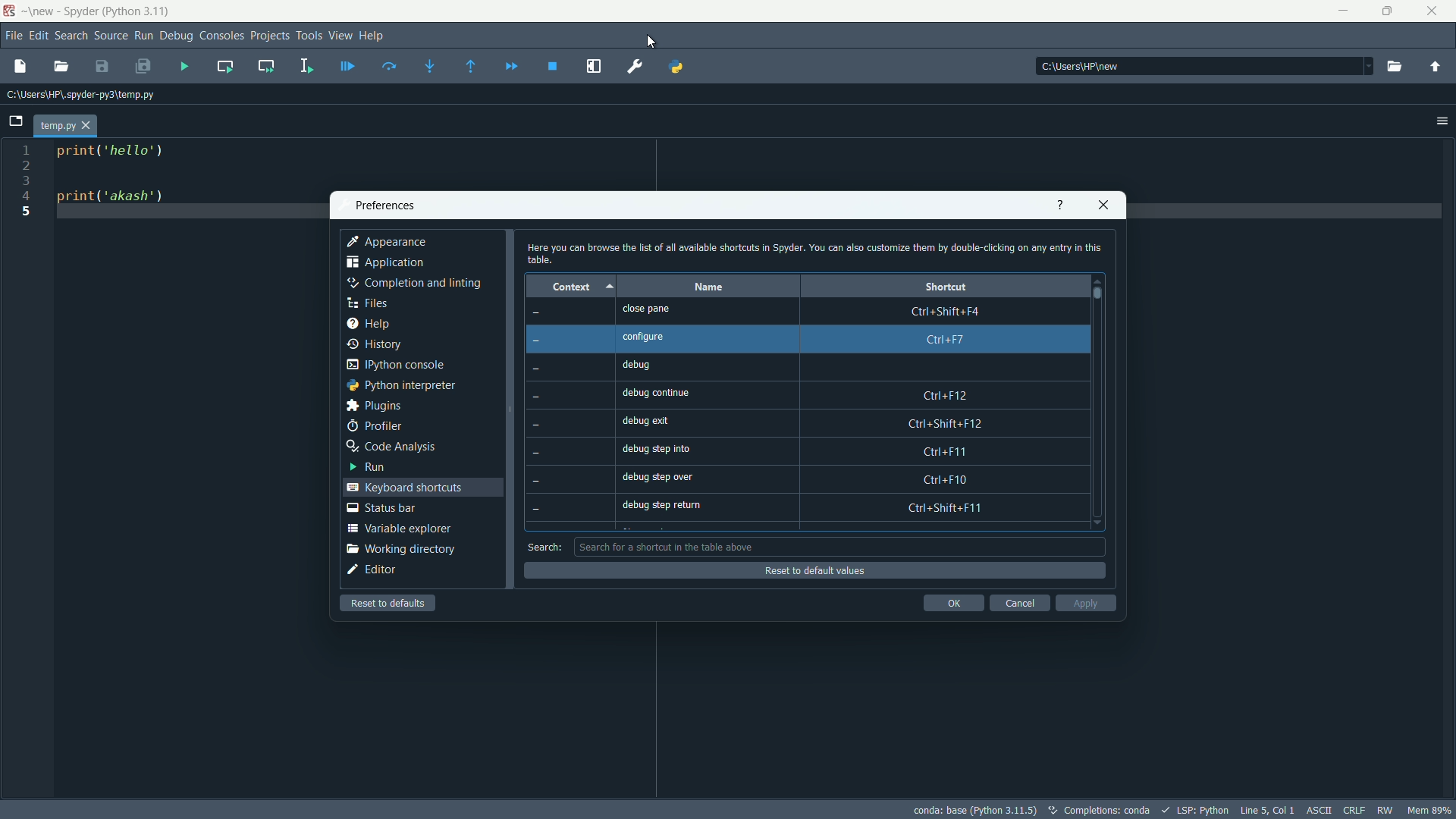 Image resolution: width=1456 pixels, height=819 pixels. Describe the element at coordinates (677, 65) in the screenshot. I see `python path manager` at that location.